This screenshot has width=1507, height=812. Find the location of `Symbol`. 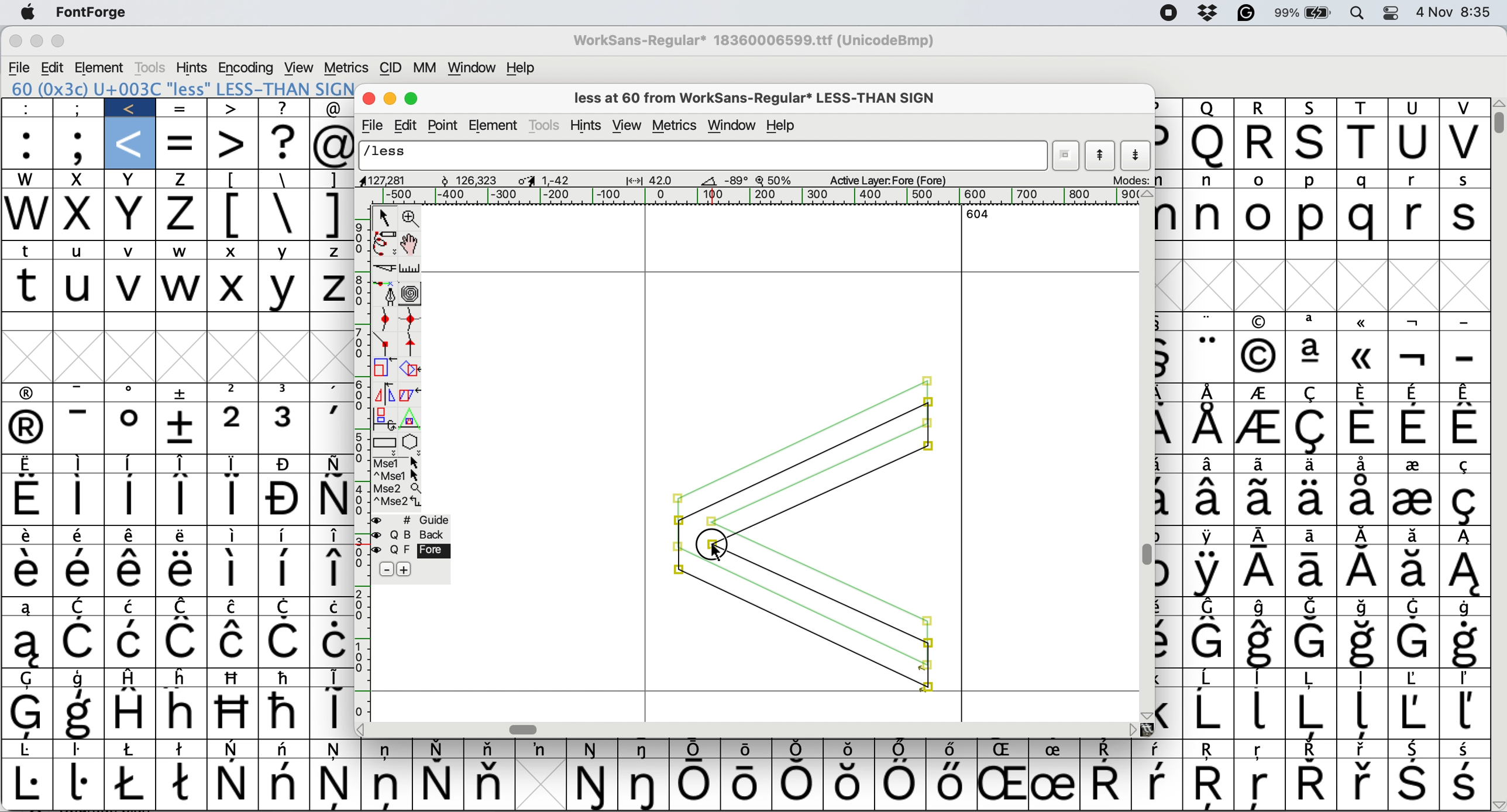

Symbol is located at coordinates (435, 785).